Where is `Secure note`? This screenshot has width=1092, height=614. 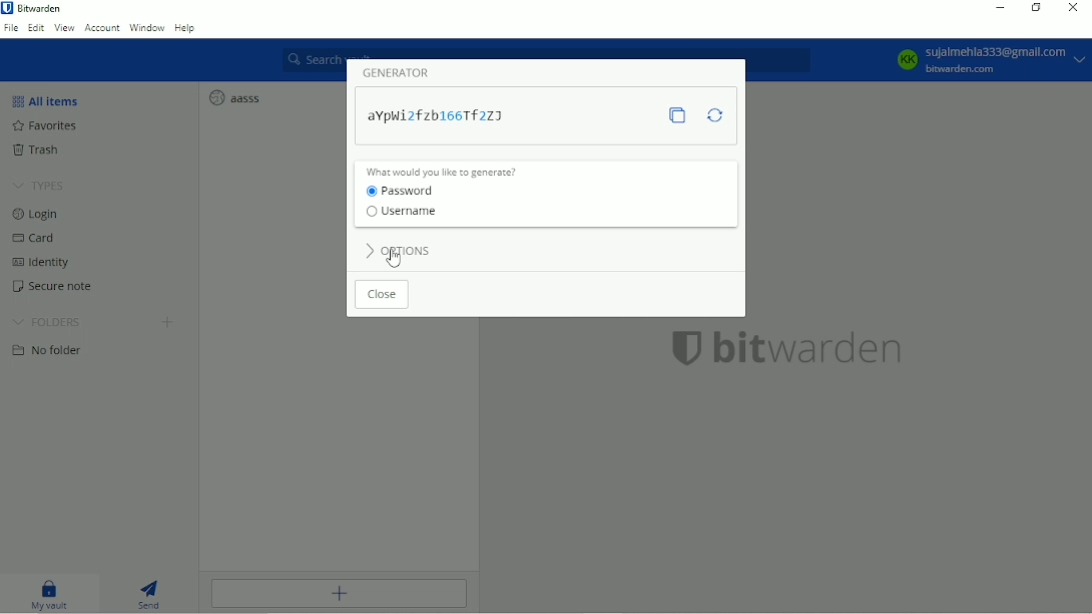 Secure note is located at coordinates (54, 288).